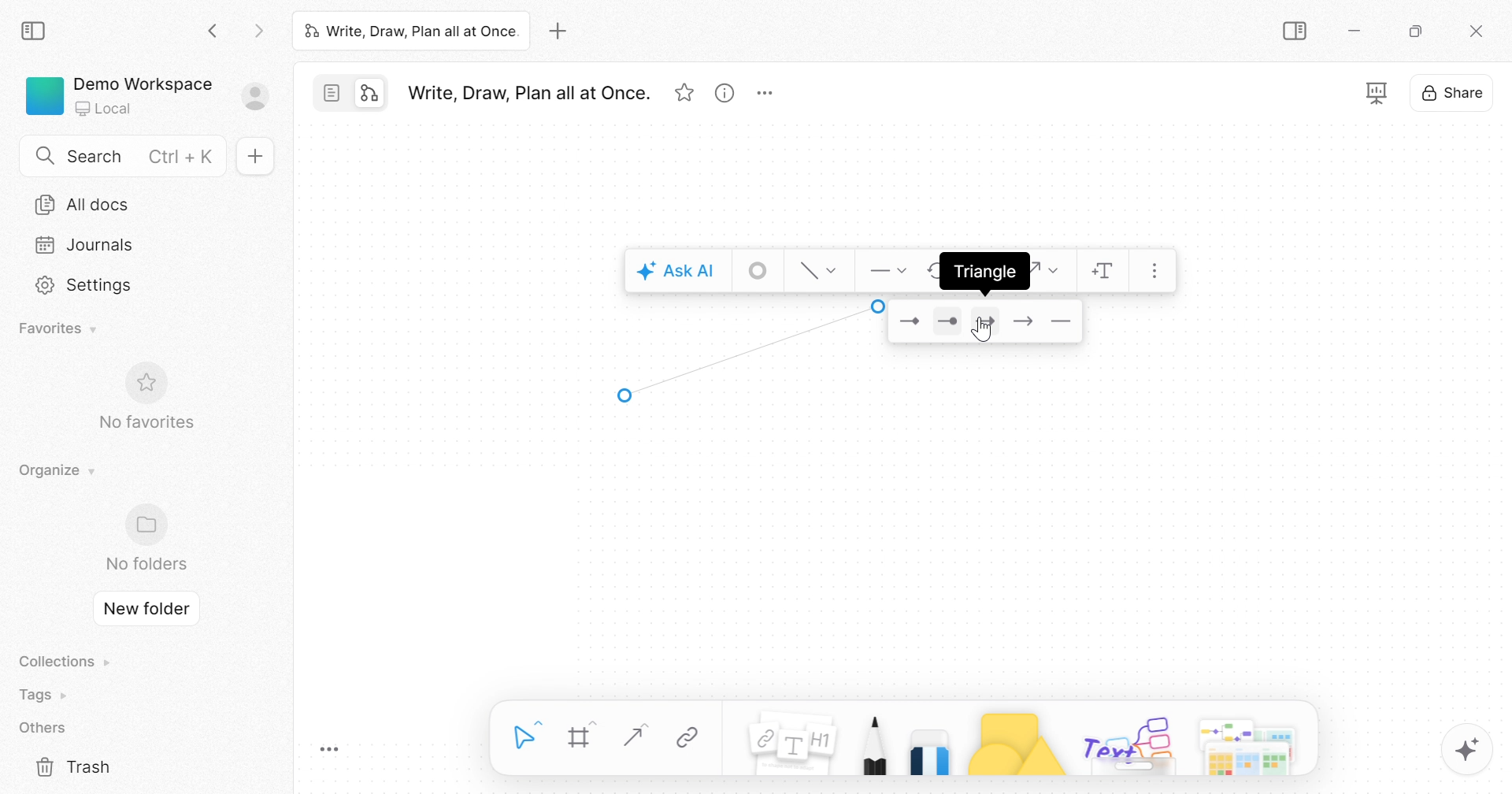 Image resolution: width=1512 pixels, height=794 pixels. Describe the element at coordinates (1359, 34) in the screenshot. I see `Minimize` at that location.